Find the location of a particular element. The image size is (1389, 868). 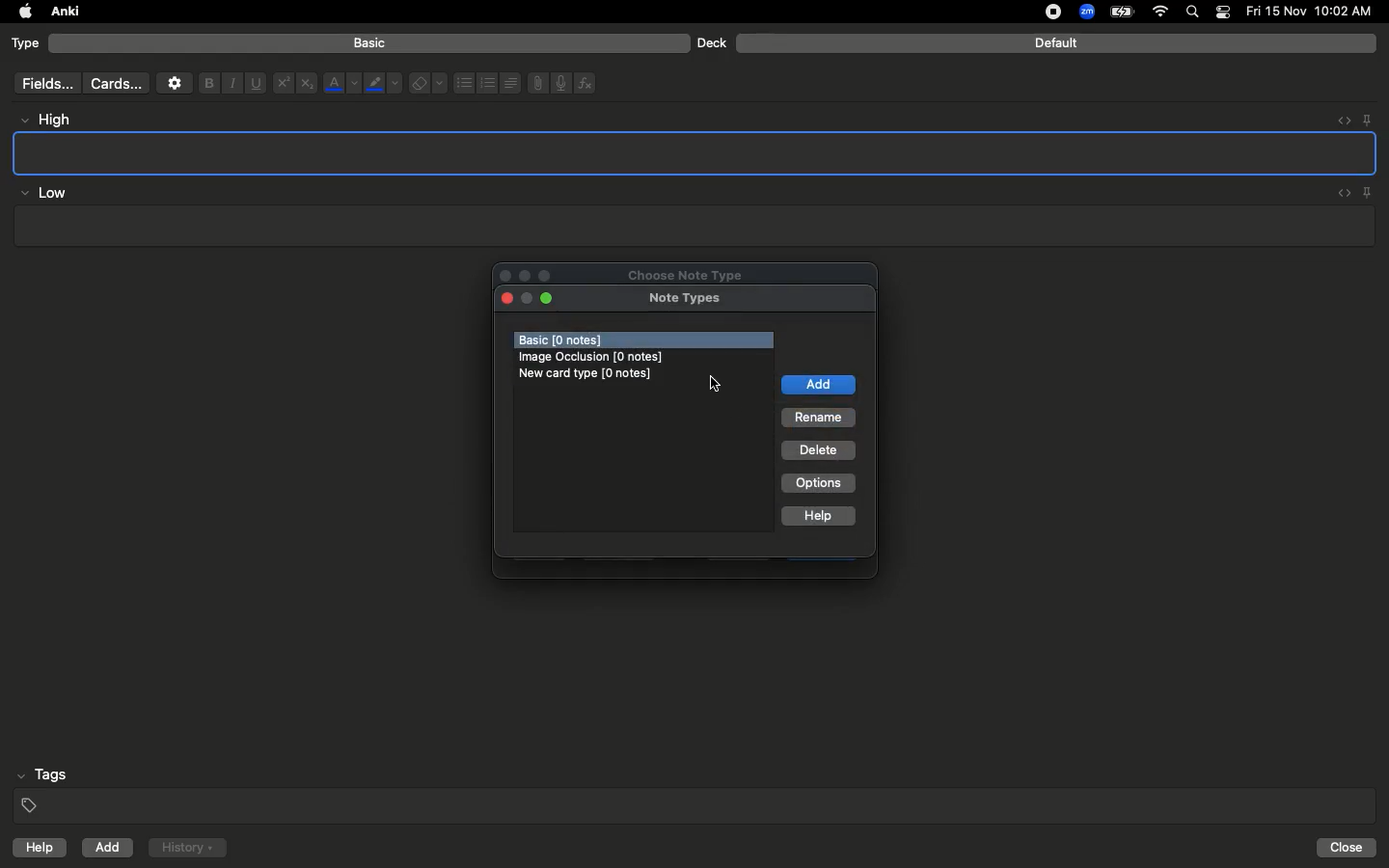

Help is located at coordinates (820, 518).